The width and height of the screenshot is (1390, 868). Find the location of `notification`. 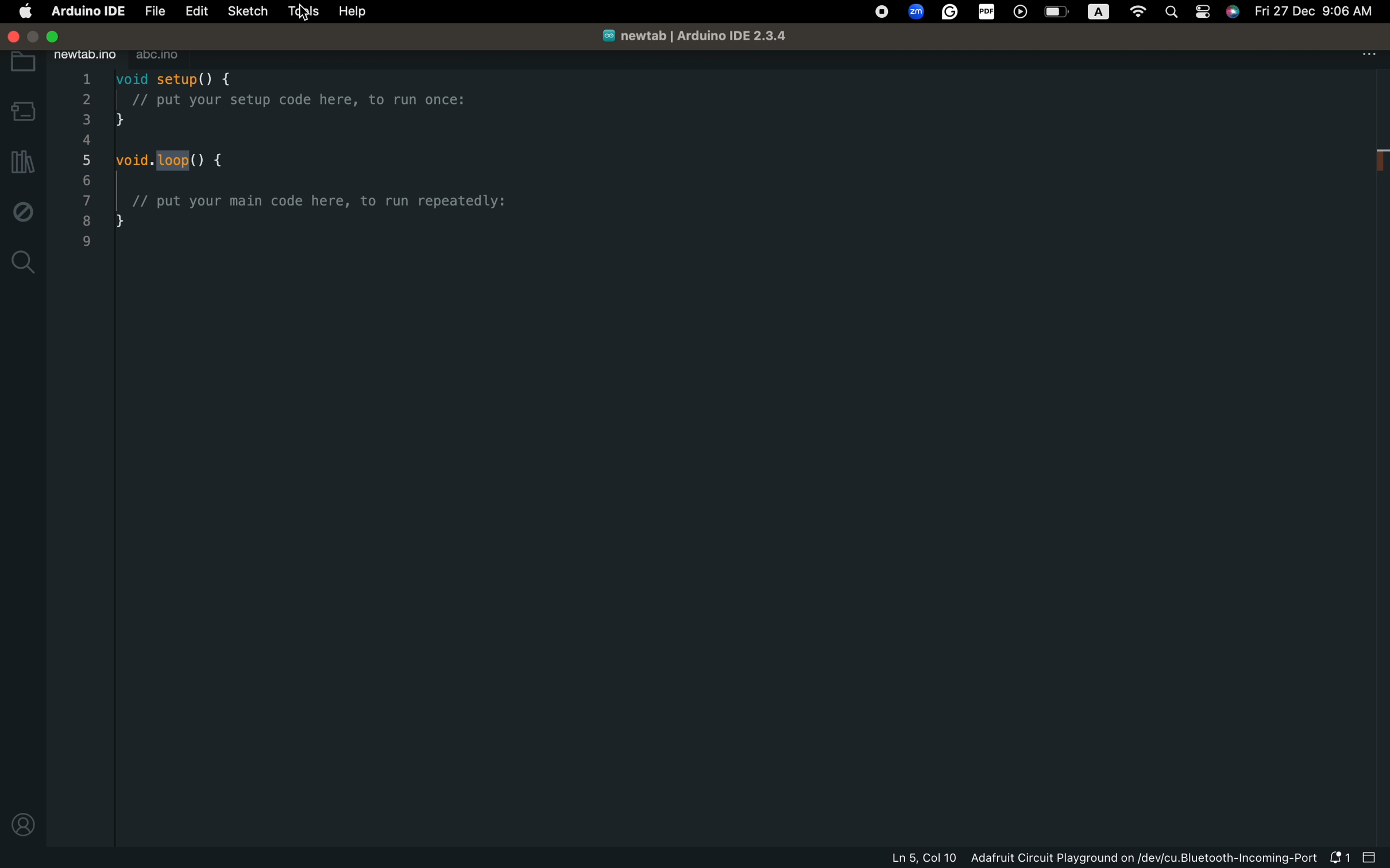

notification is located at coordinates (1338, 857).